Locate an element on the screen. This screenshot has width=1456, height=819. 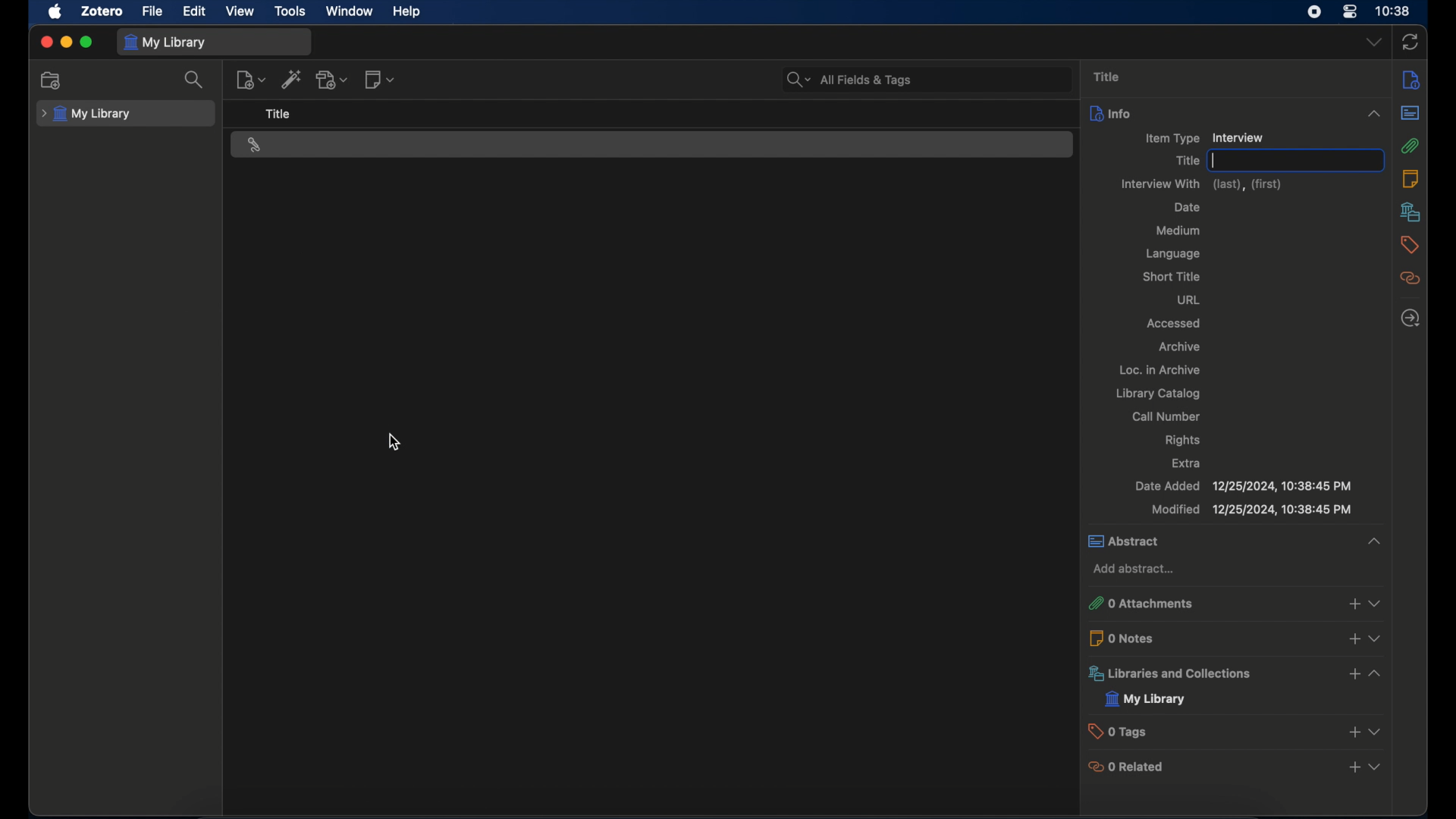
title is located at coordinates (1109, 77).